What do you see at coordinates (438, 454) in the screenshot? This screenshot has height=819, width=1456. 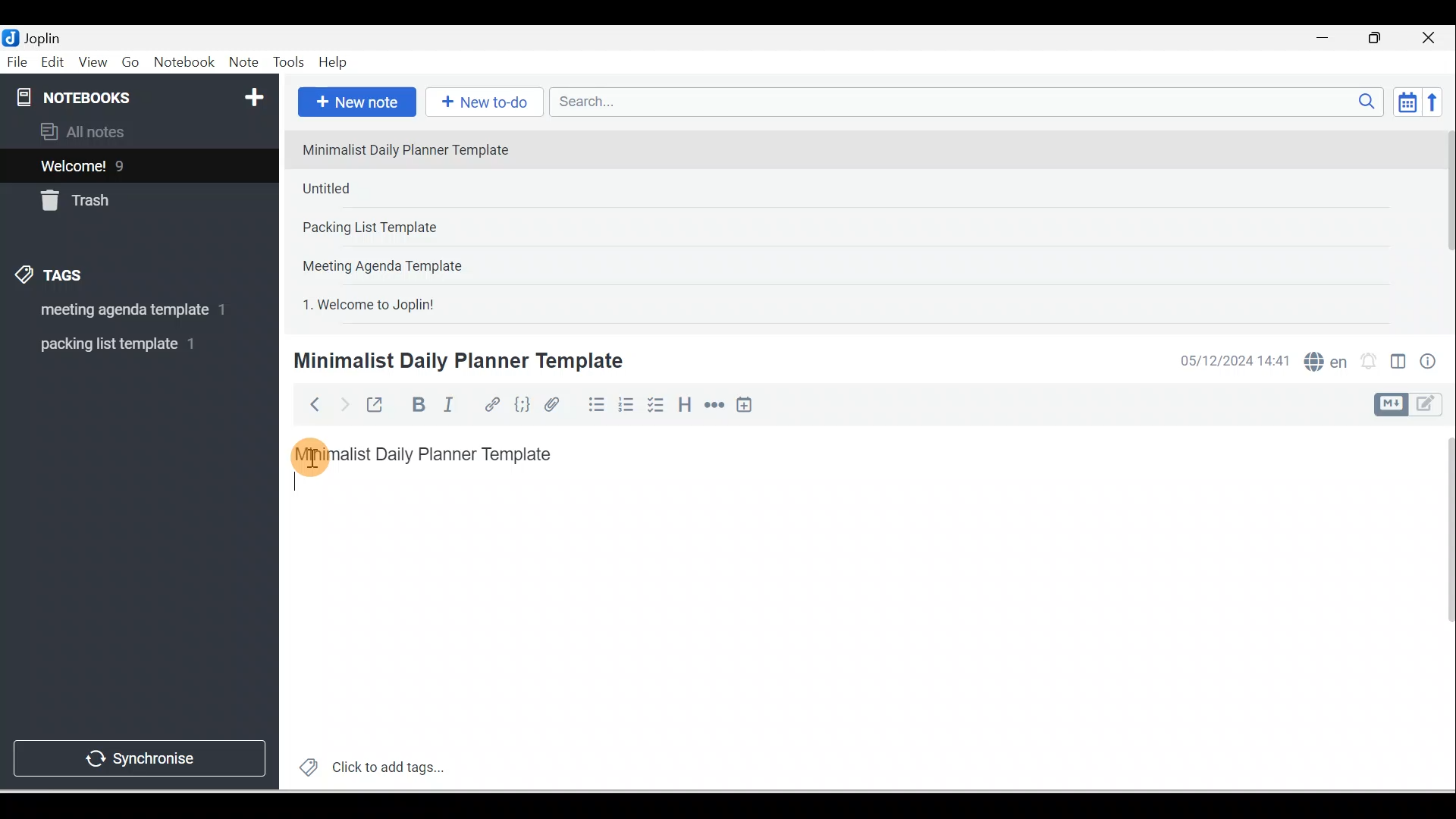 I see `Minimalist Daily Planner Template` at bounding box center [438, 454].